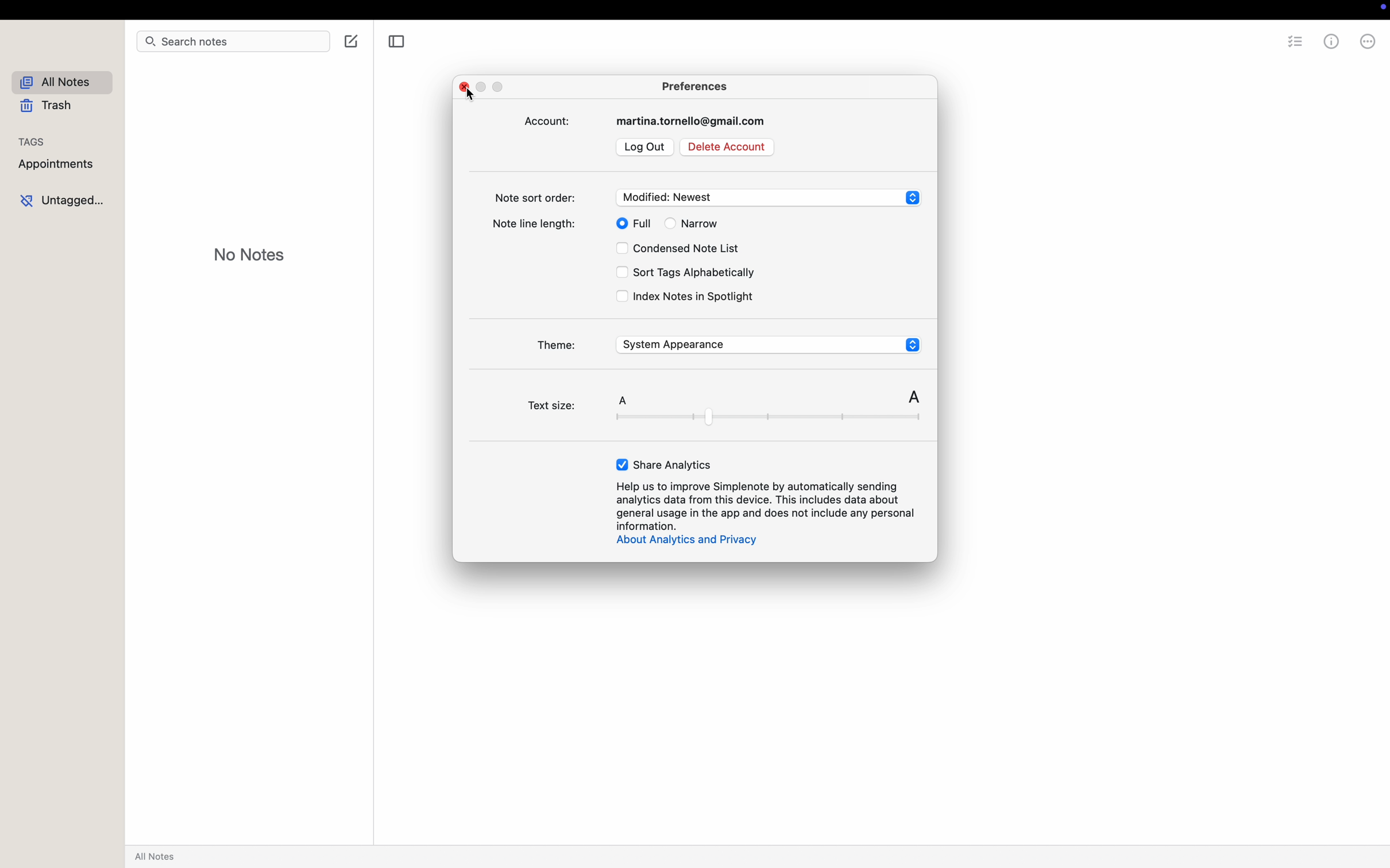 This screenshot has width=1390, height=868. I want to click on index notes in Spotlight, so click(689, 298).